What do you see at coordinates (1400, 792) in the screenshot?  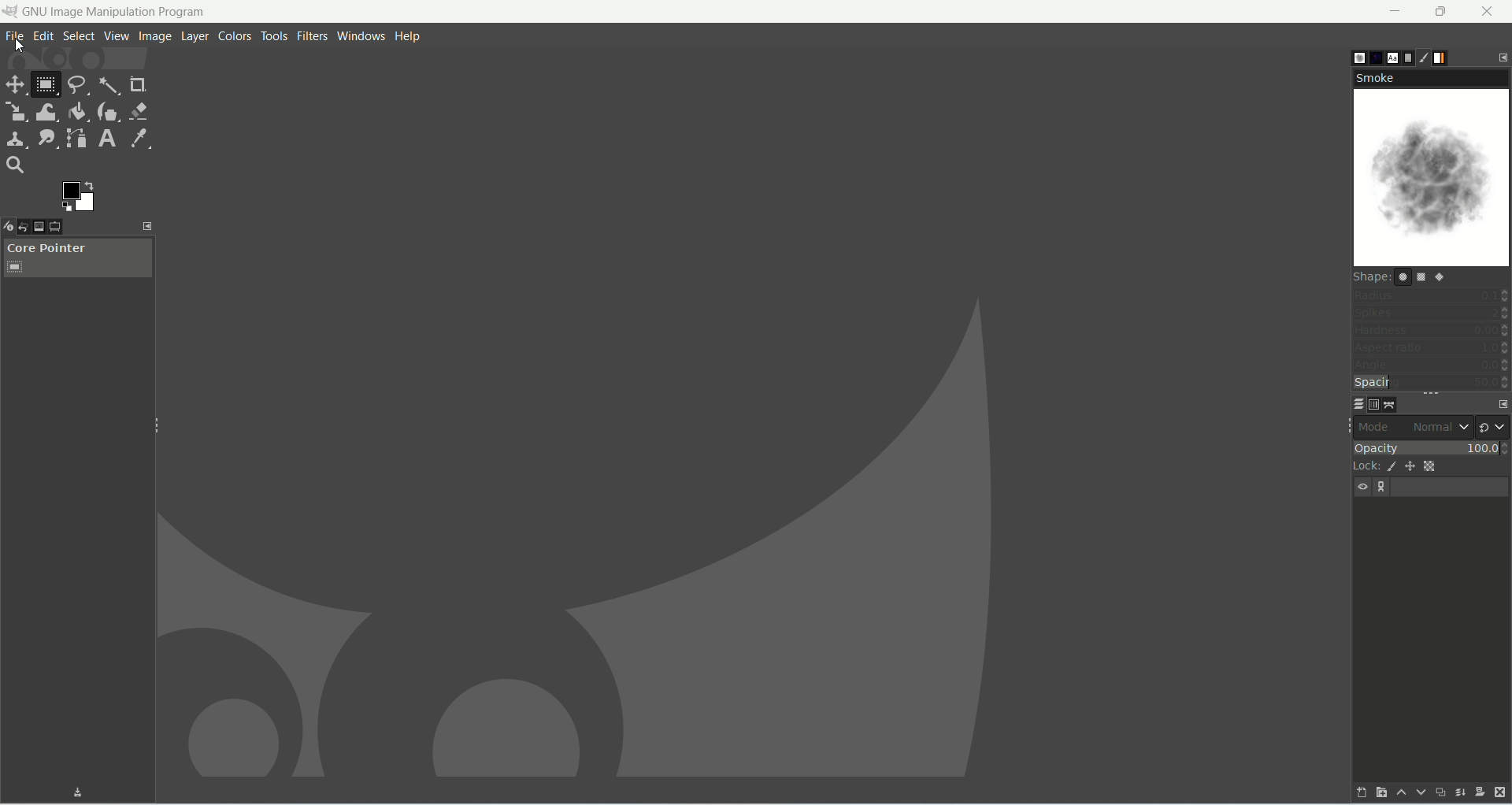 I see `raise this layer` at bounding box center [1400, 792].